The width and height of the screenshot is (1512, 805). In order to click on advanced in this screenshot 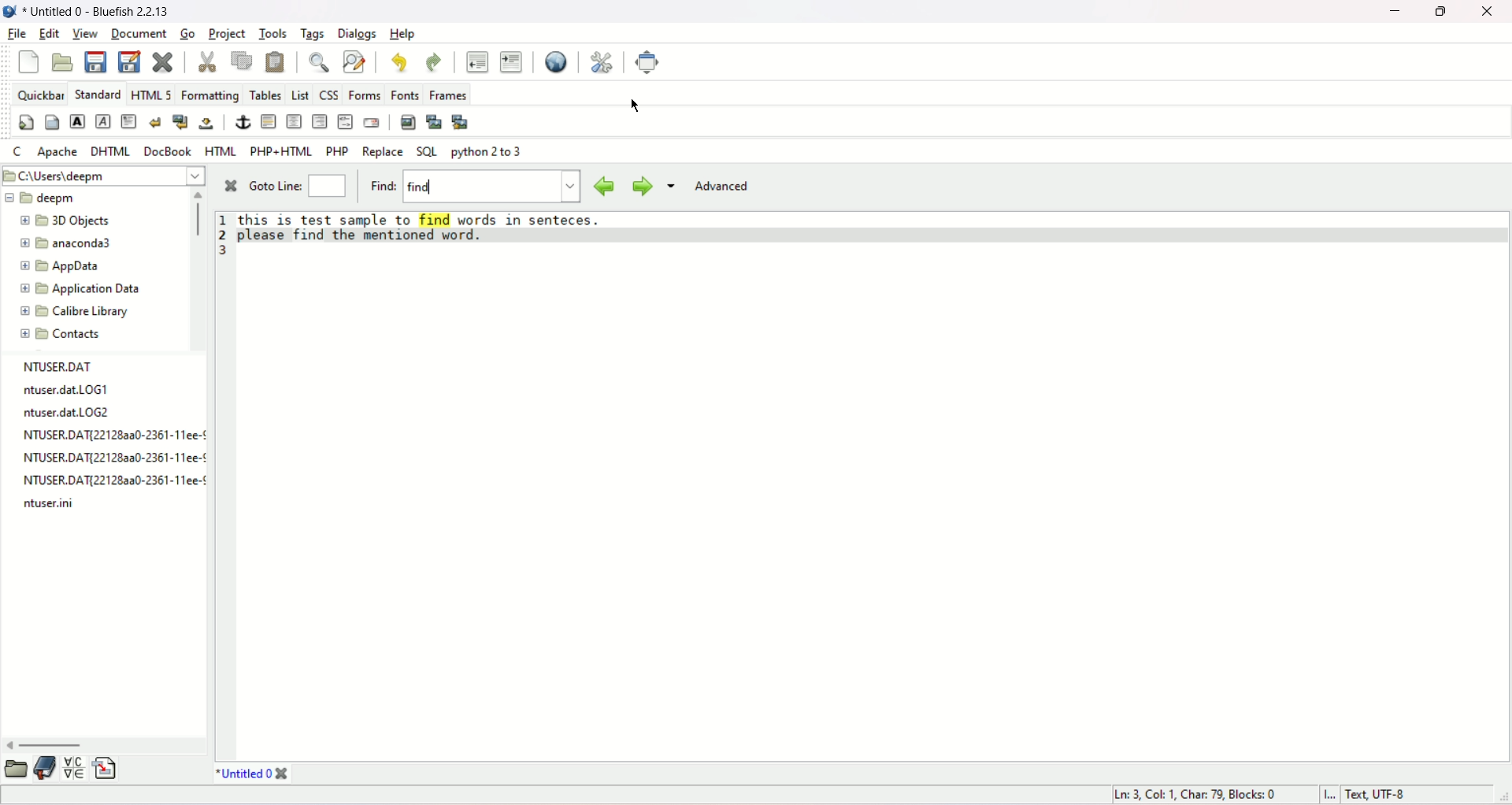, I will do `click(724, 187)`.